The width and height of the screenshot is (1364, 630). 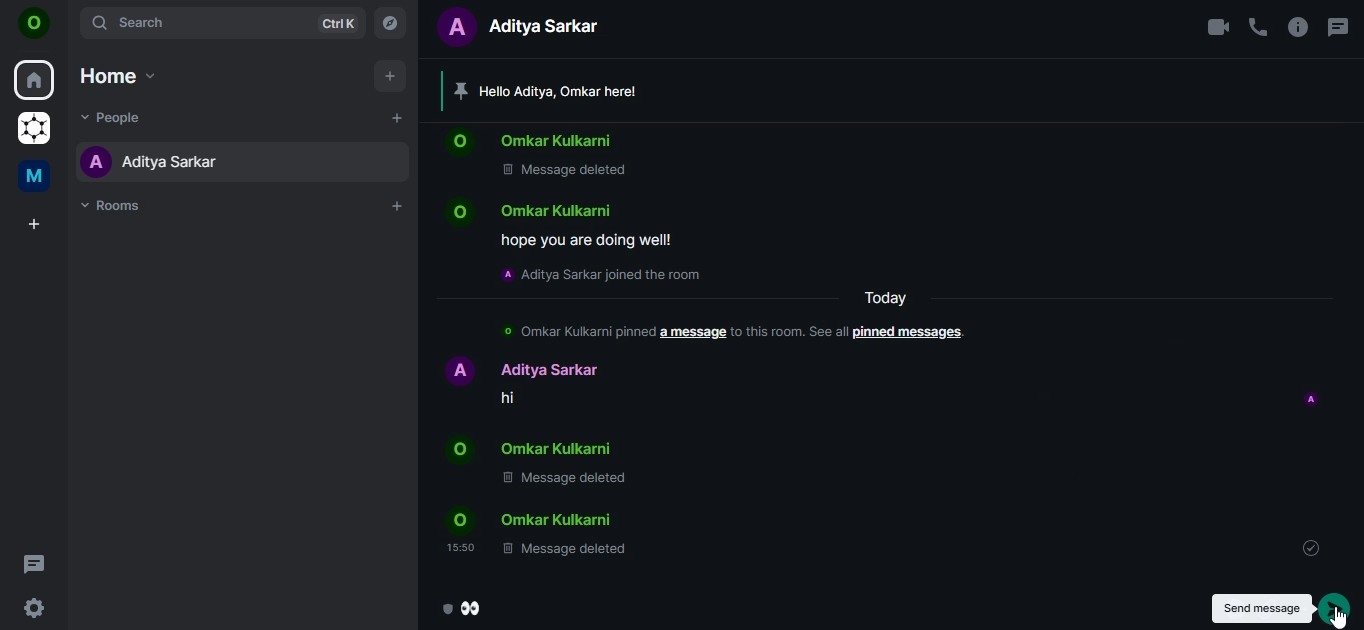 What do you see at coordinates (225, 23) in the screenshot?
I see `search` at bounding box center [225, 23].